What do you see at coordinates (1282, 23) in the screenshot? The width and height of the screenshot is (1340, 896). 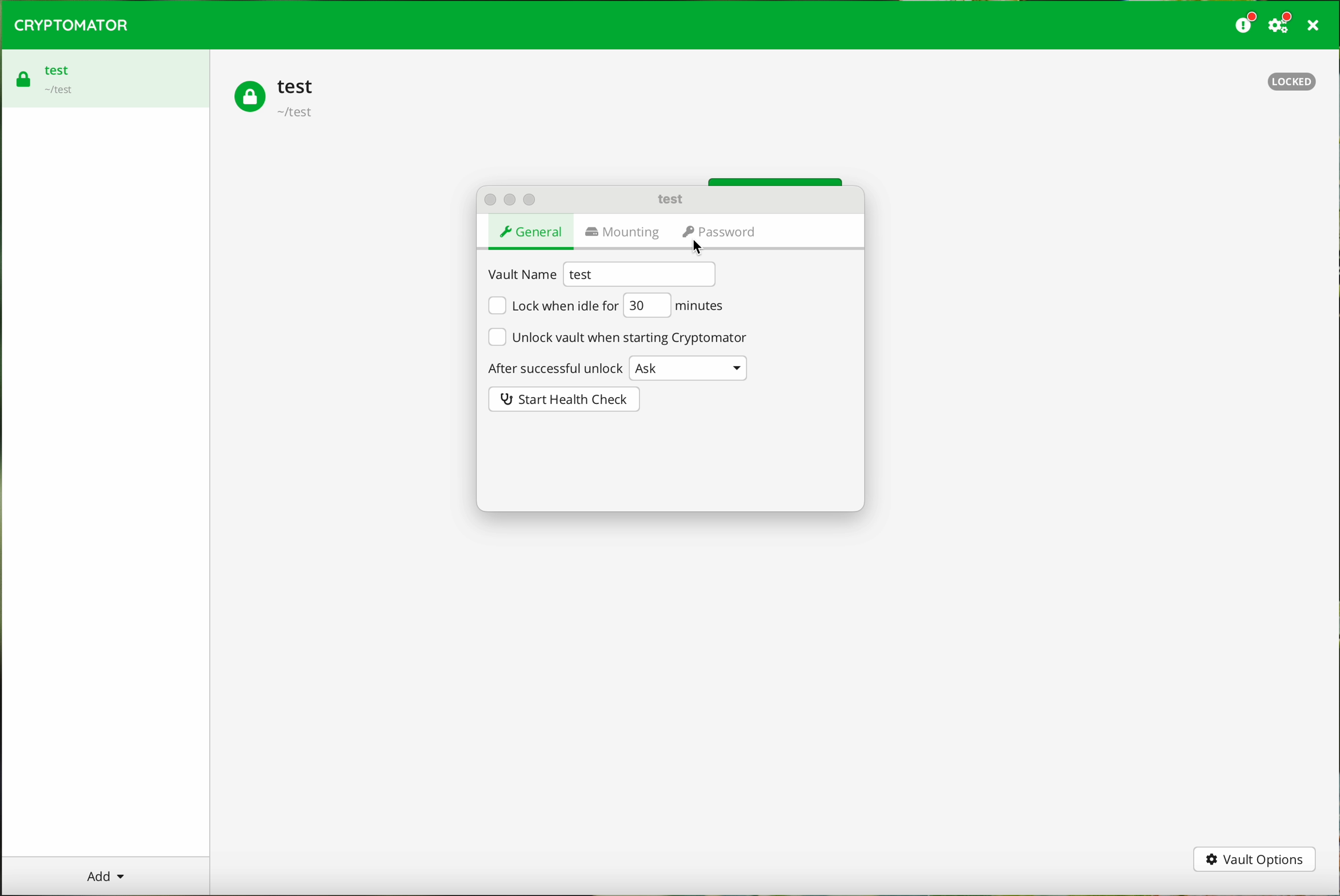 I see `settings` at bounding box center [1282, 23].